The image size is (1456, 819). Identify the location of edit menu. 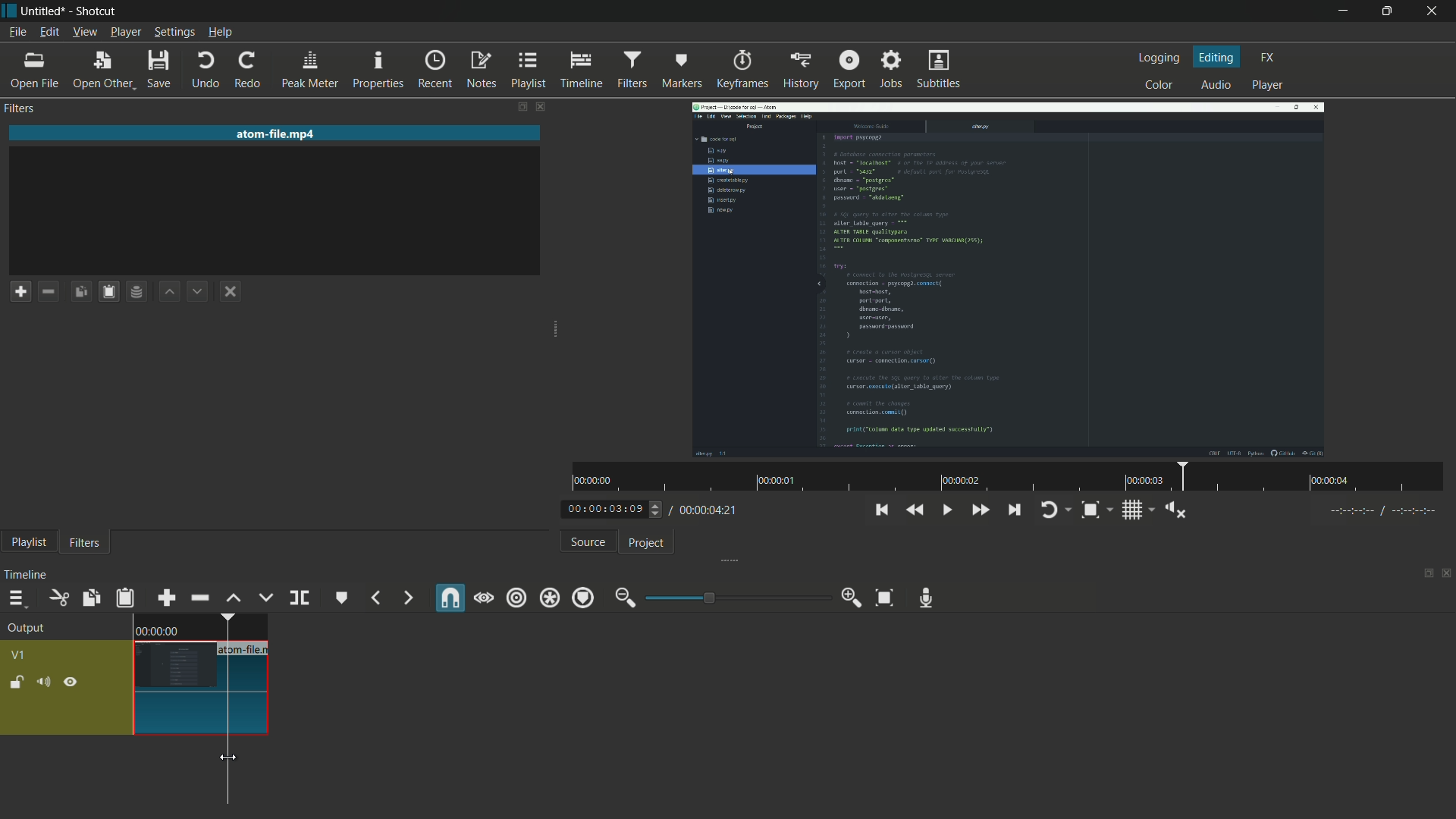
(49, 33).